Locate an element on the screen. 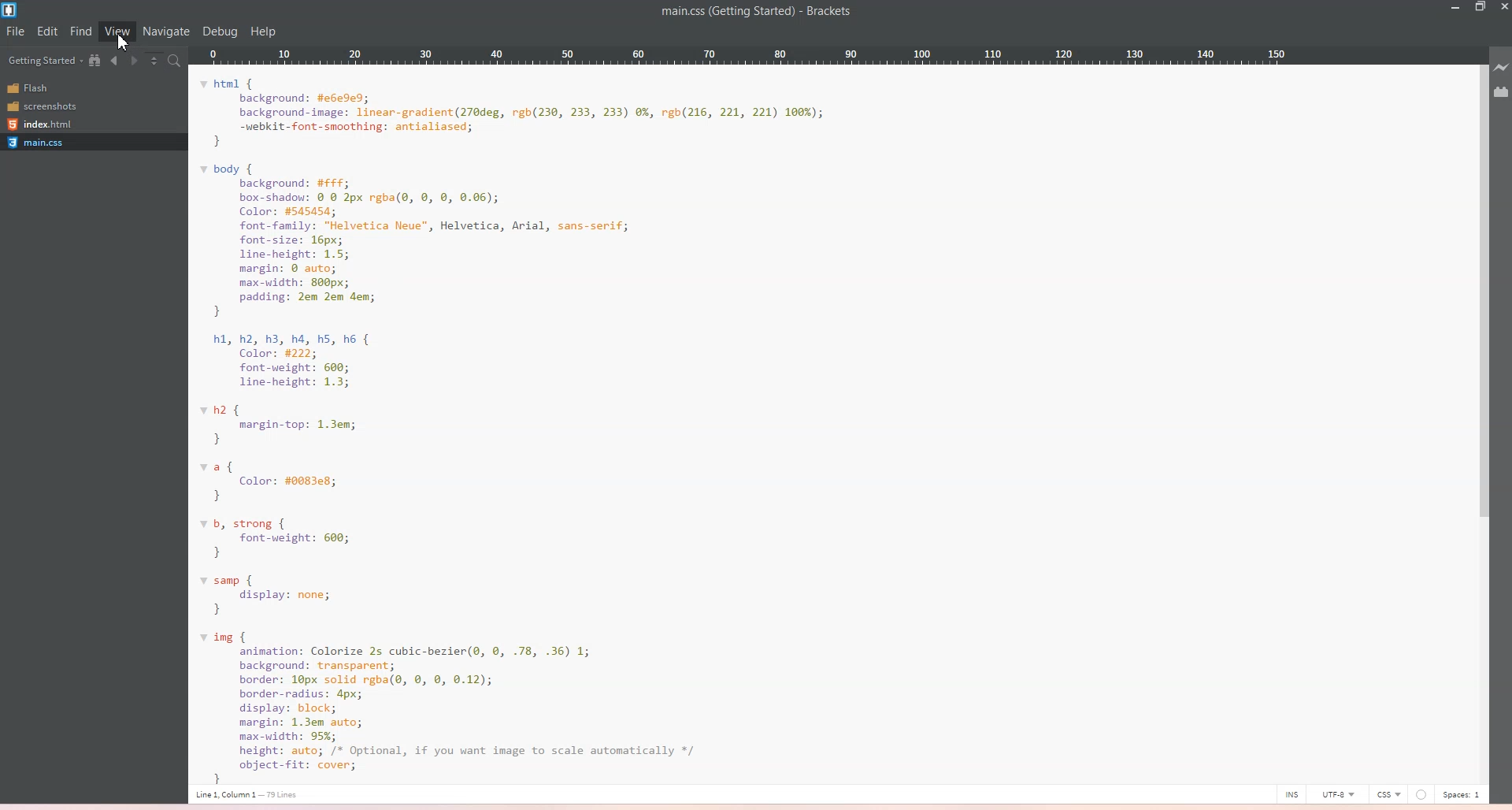 The image size is (1512, 810). Navigate Backward is located at coordinates (116, 62).